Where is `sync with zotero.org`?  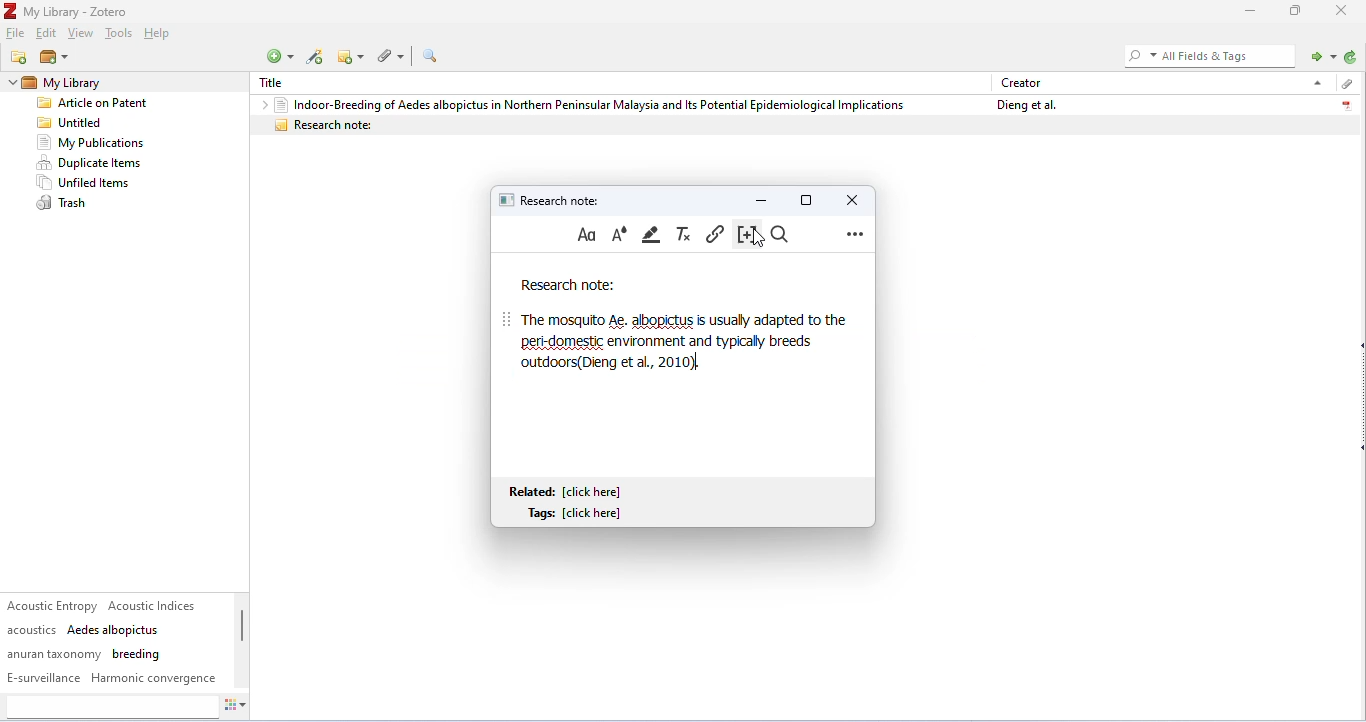
sync with zotero.org is located at coordinates (1351, 57).